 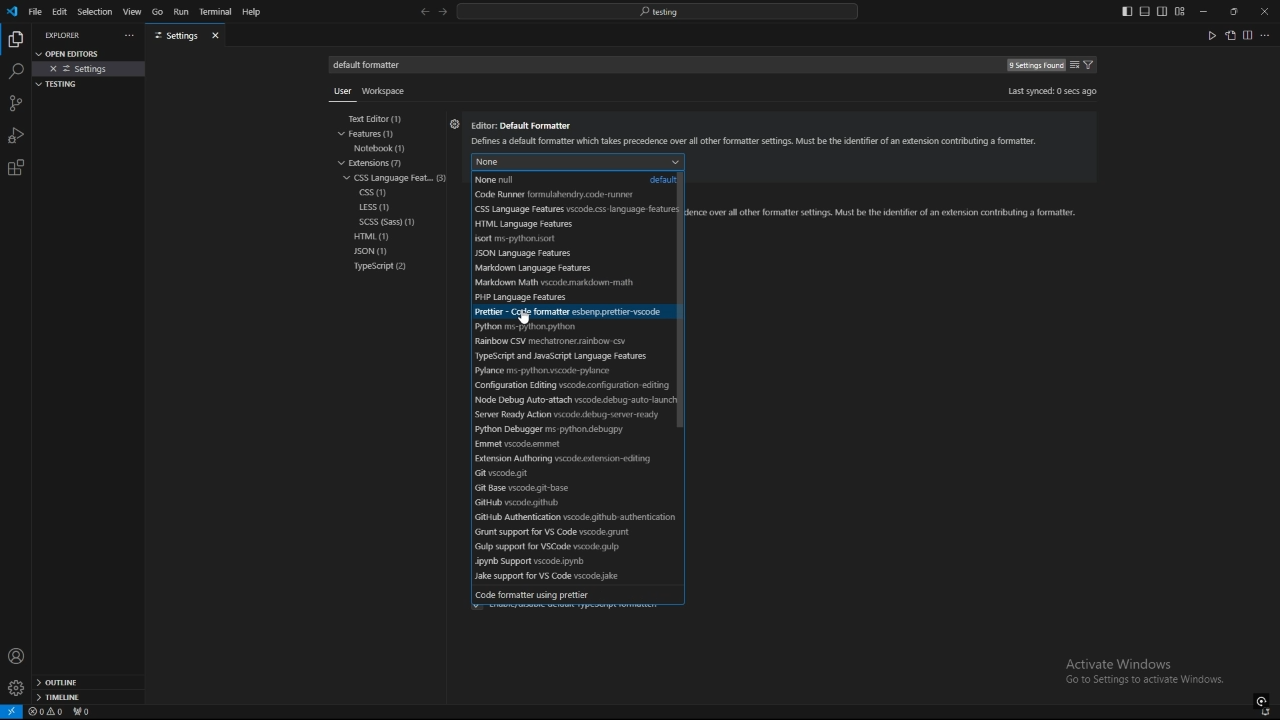 What do you see at coordinates (16, 168) in the screenshot?
I see `extensions` at bounding box center [16, 168].